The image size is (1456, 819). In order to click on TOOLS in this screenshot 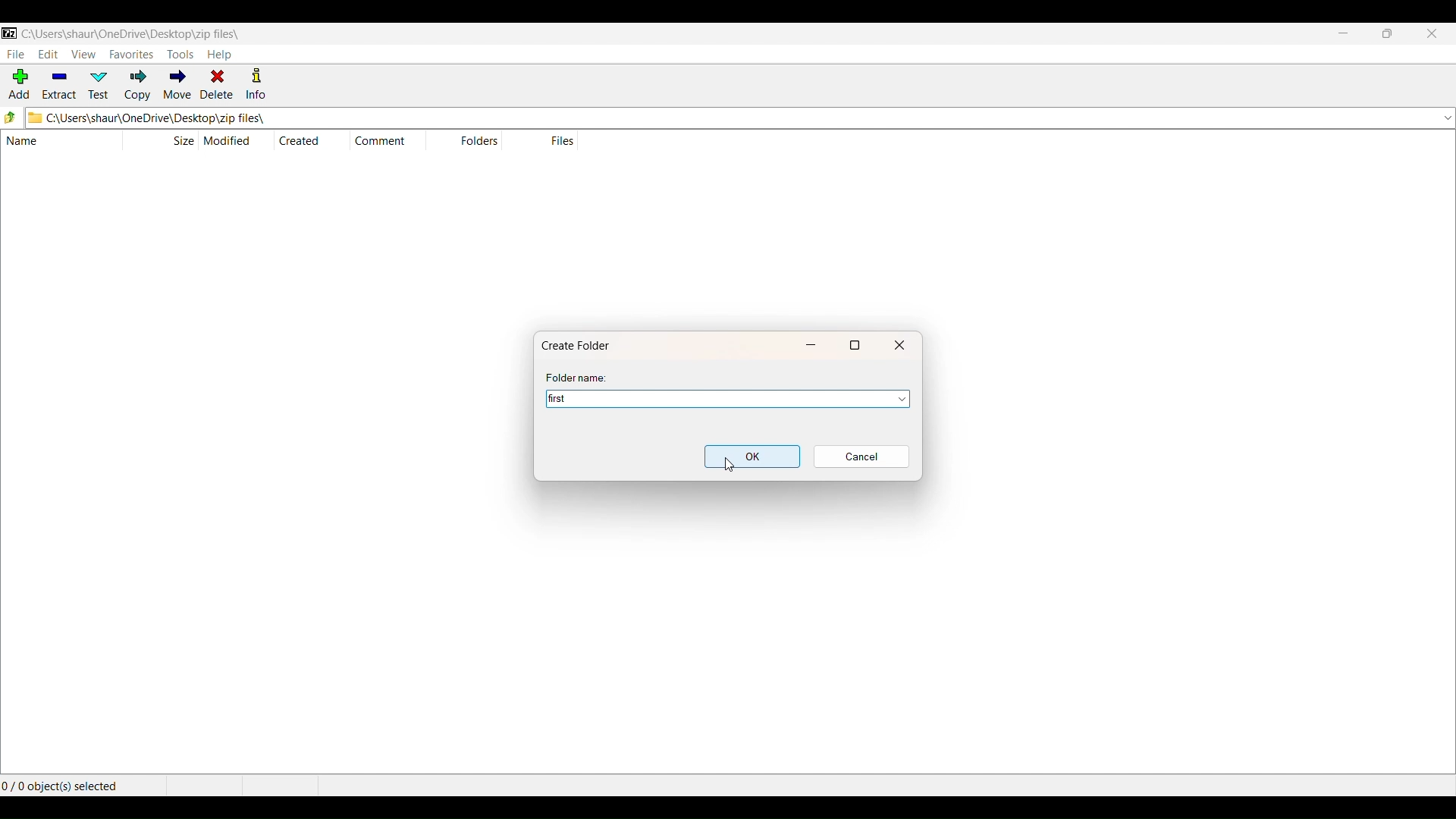, I will do `click(180, 55)`.